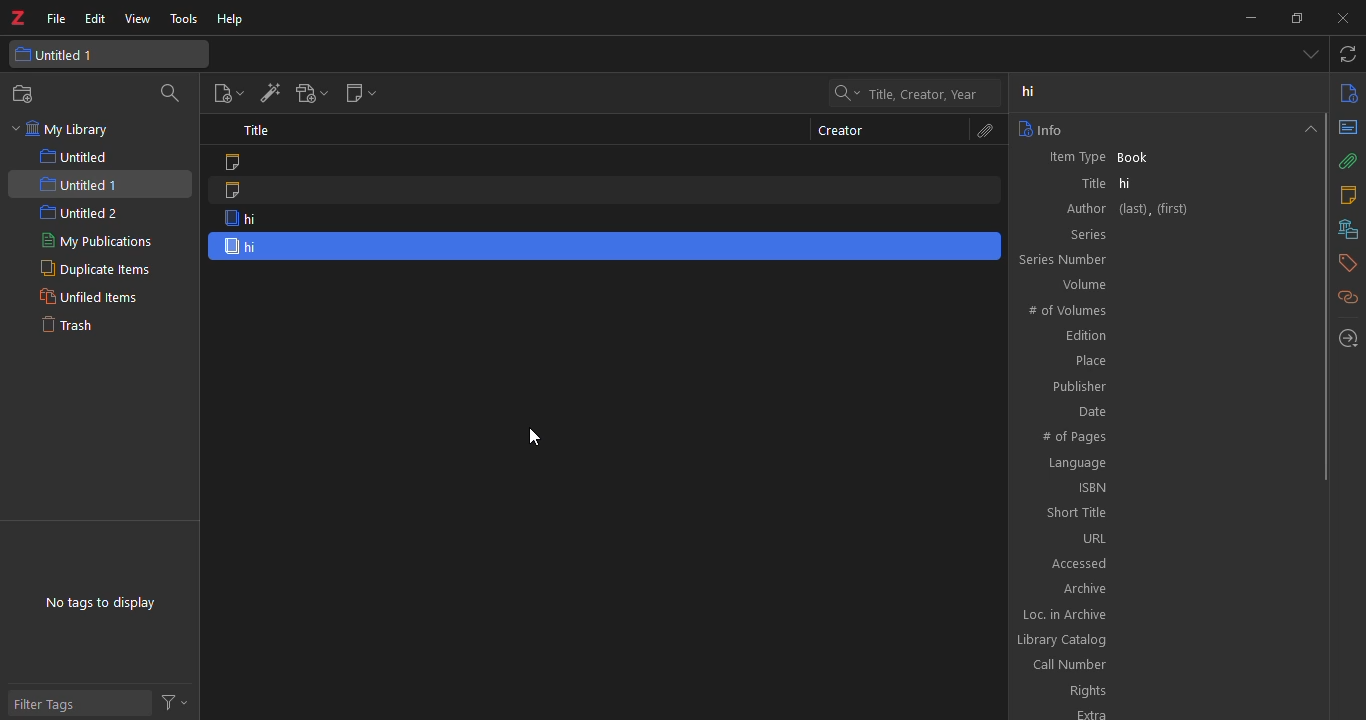  What do you see at coordinates (1295, 18) in the screenshot?
I see `maximize` at bounding box center [1295, 18].